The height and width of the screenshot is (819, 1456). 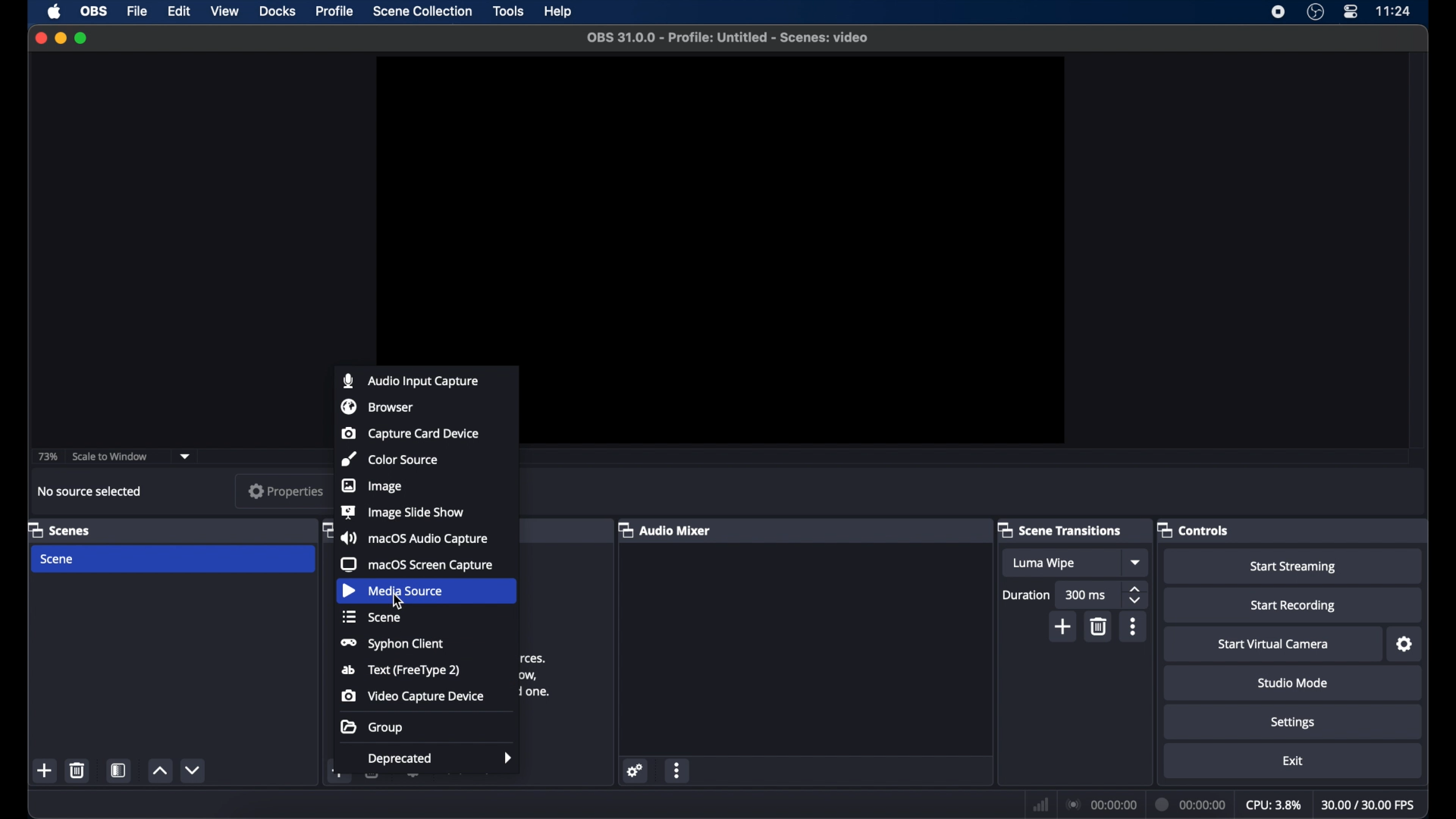 What do you see at coordinates (61, 529) in the screenshot?
I see `scenes` at bounding box center [61, 529].